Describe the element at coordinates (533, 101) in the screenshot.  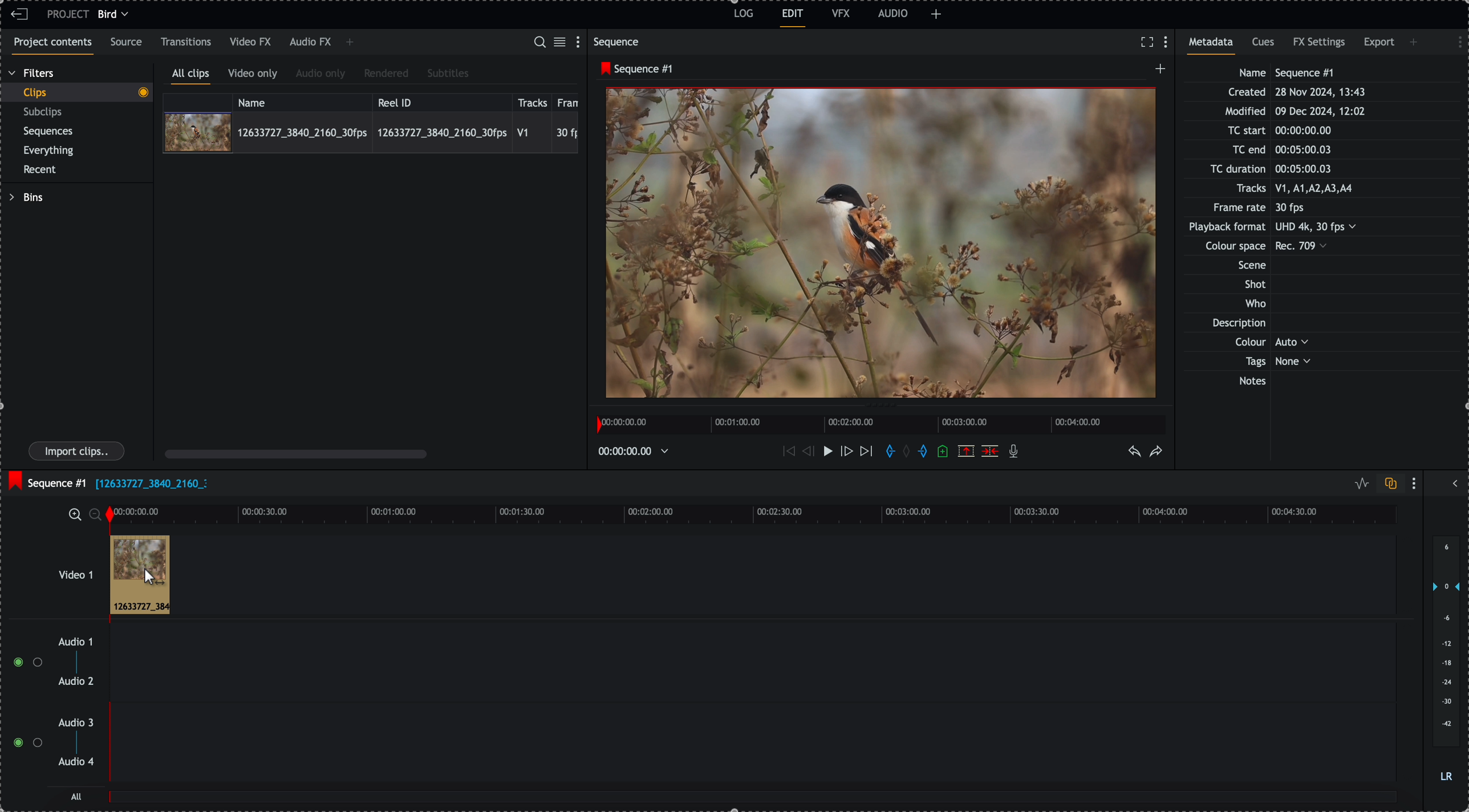
I see `tracks` at that location.